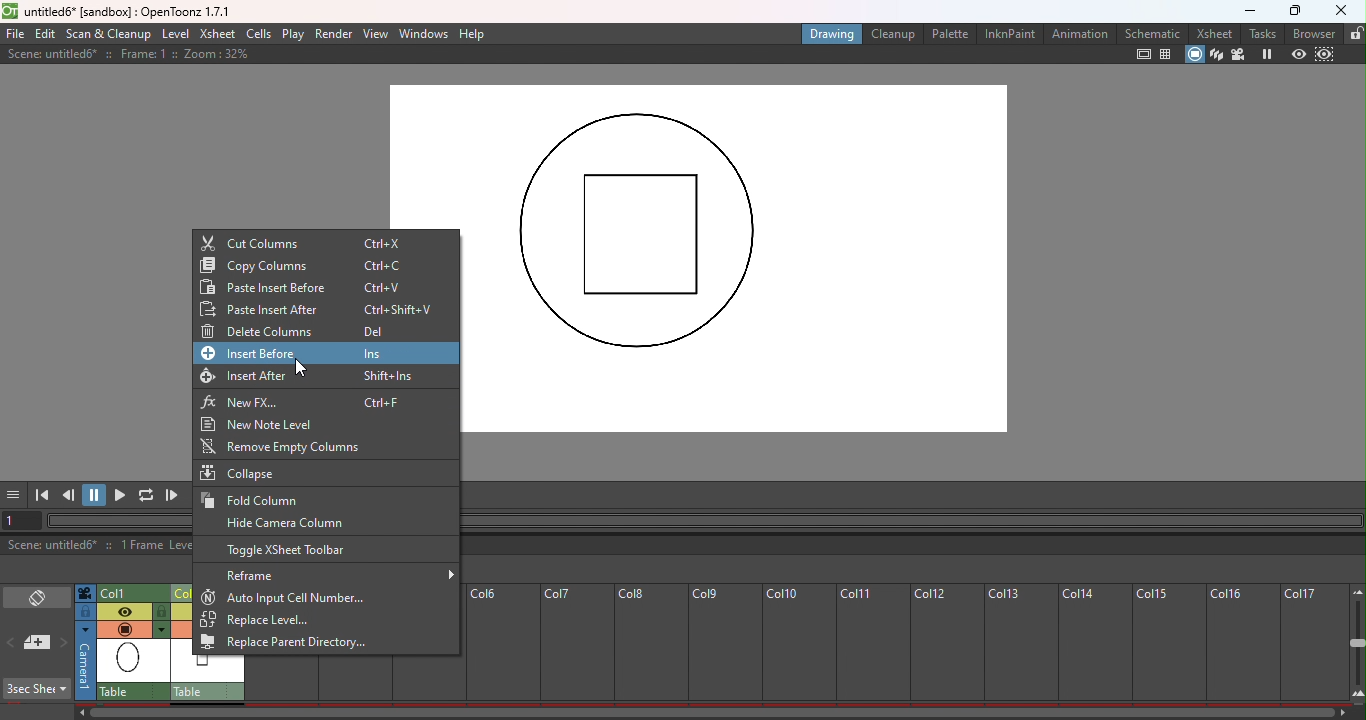  I want to click on Additional column settings, so click(164, 630).